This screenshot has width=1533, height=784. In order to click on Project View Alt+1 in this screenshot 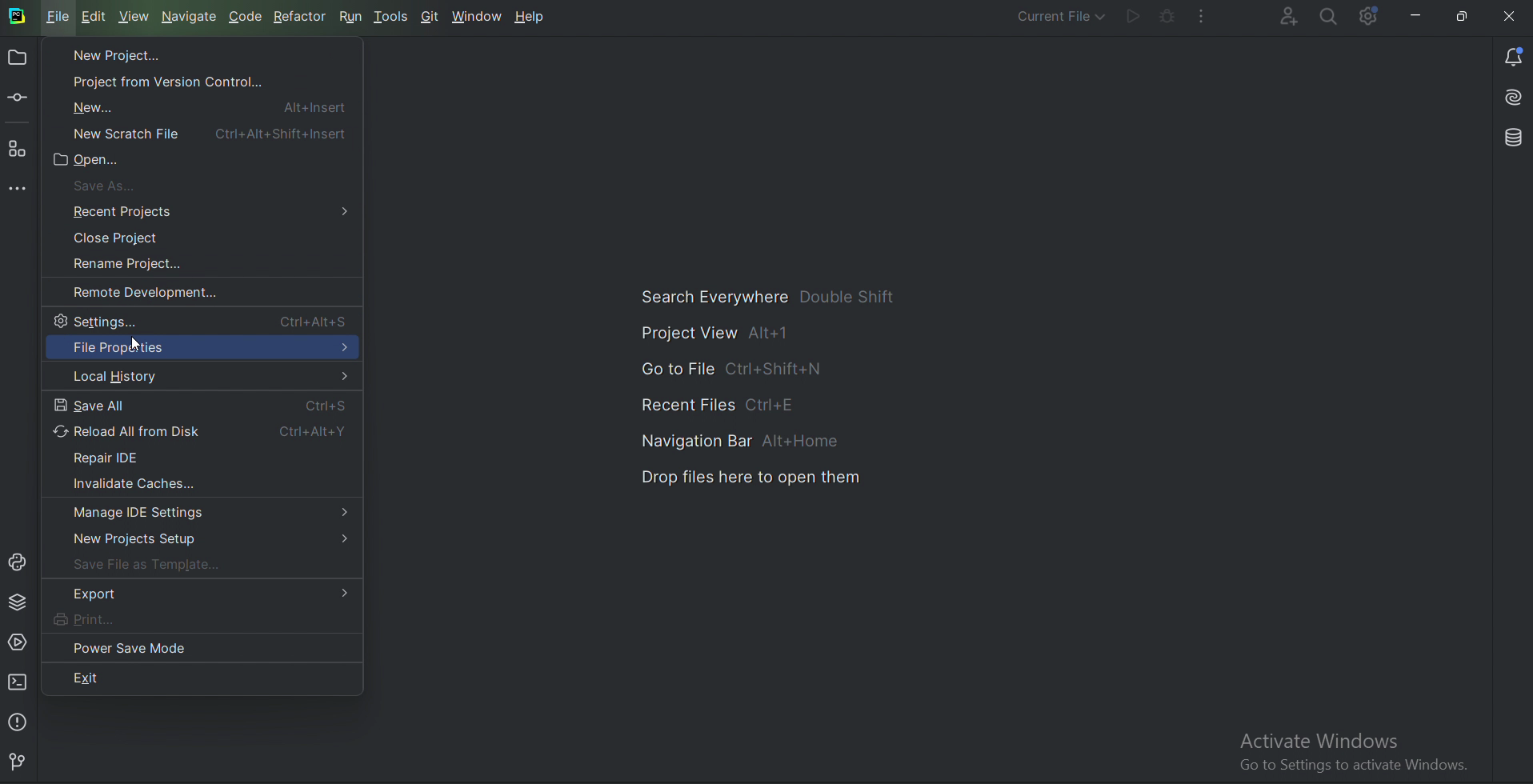, I will do `click(723, 334)`.